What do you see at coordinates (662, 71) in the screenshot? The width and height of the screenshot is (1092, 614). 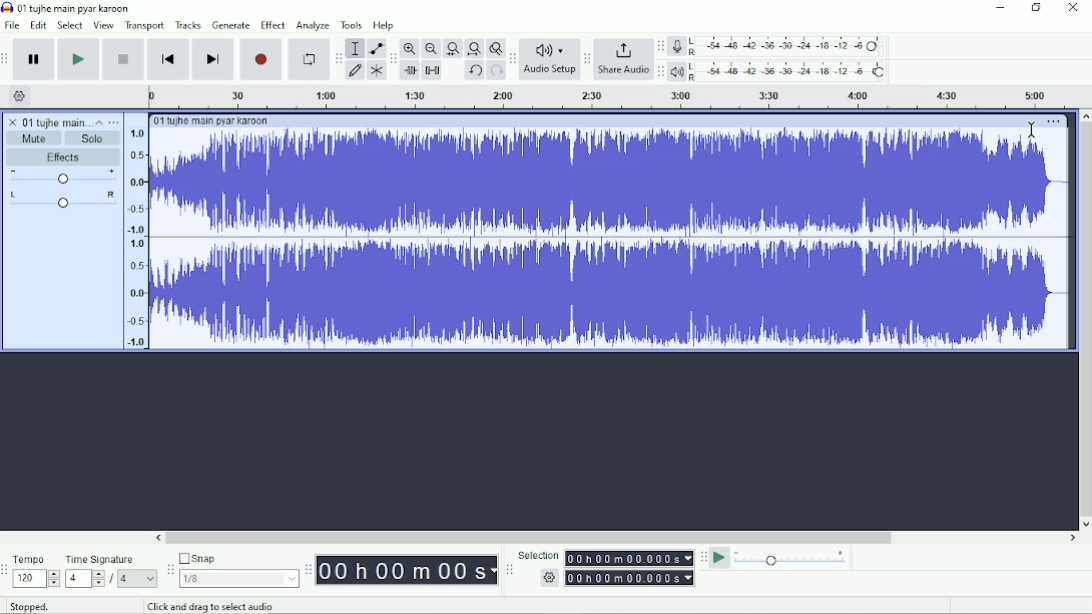 I see `Audacity playback meter toolbar` at bounding box center [662, 71].